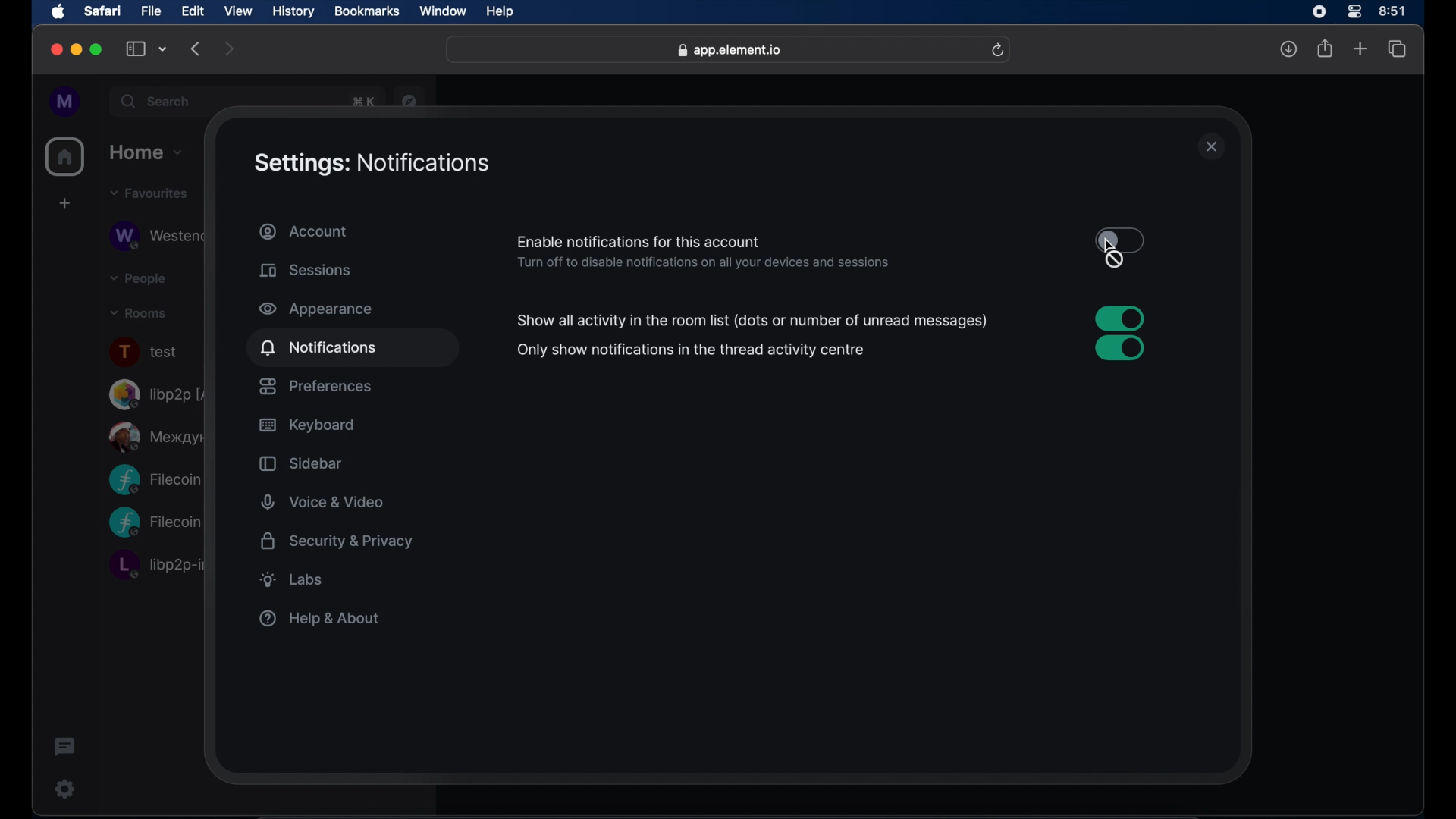 The image size is (1456, 819). I want to click on window, so click(443, 11).